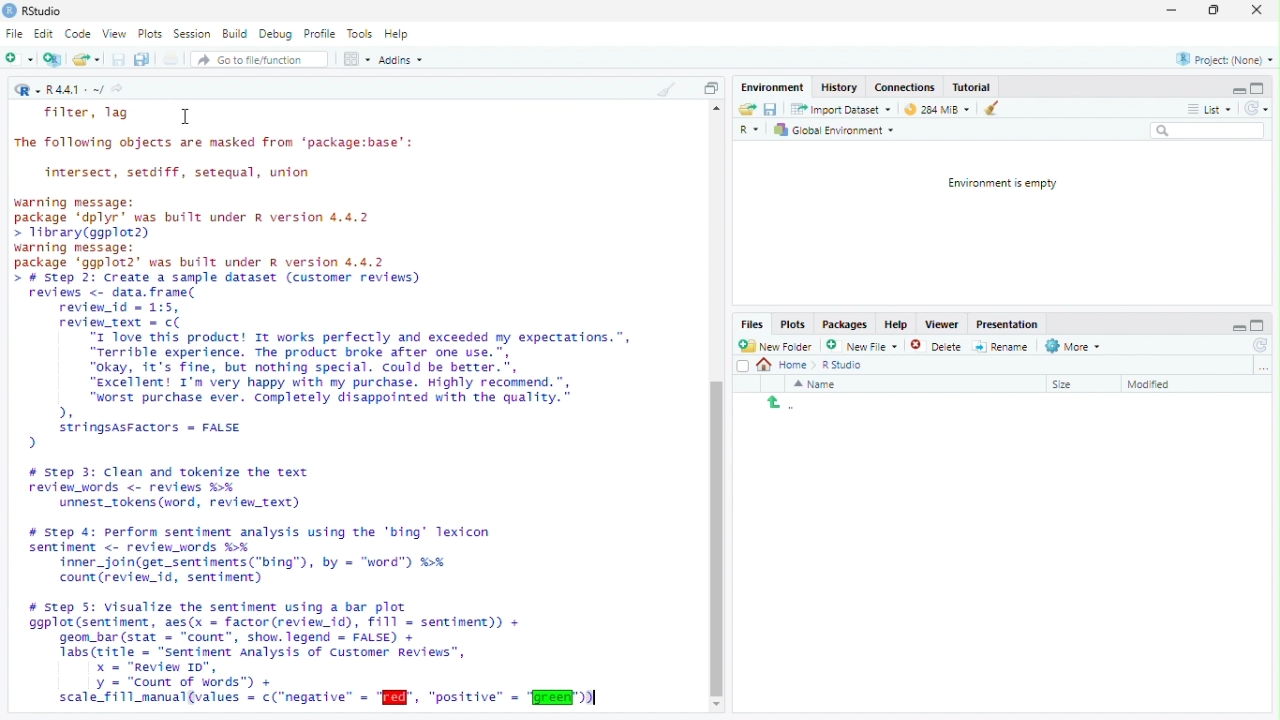  Describe the element at coordinates (1258, 345) in the screenshot. I see `Refresh` at that location.